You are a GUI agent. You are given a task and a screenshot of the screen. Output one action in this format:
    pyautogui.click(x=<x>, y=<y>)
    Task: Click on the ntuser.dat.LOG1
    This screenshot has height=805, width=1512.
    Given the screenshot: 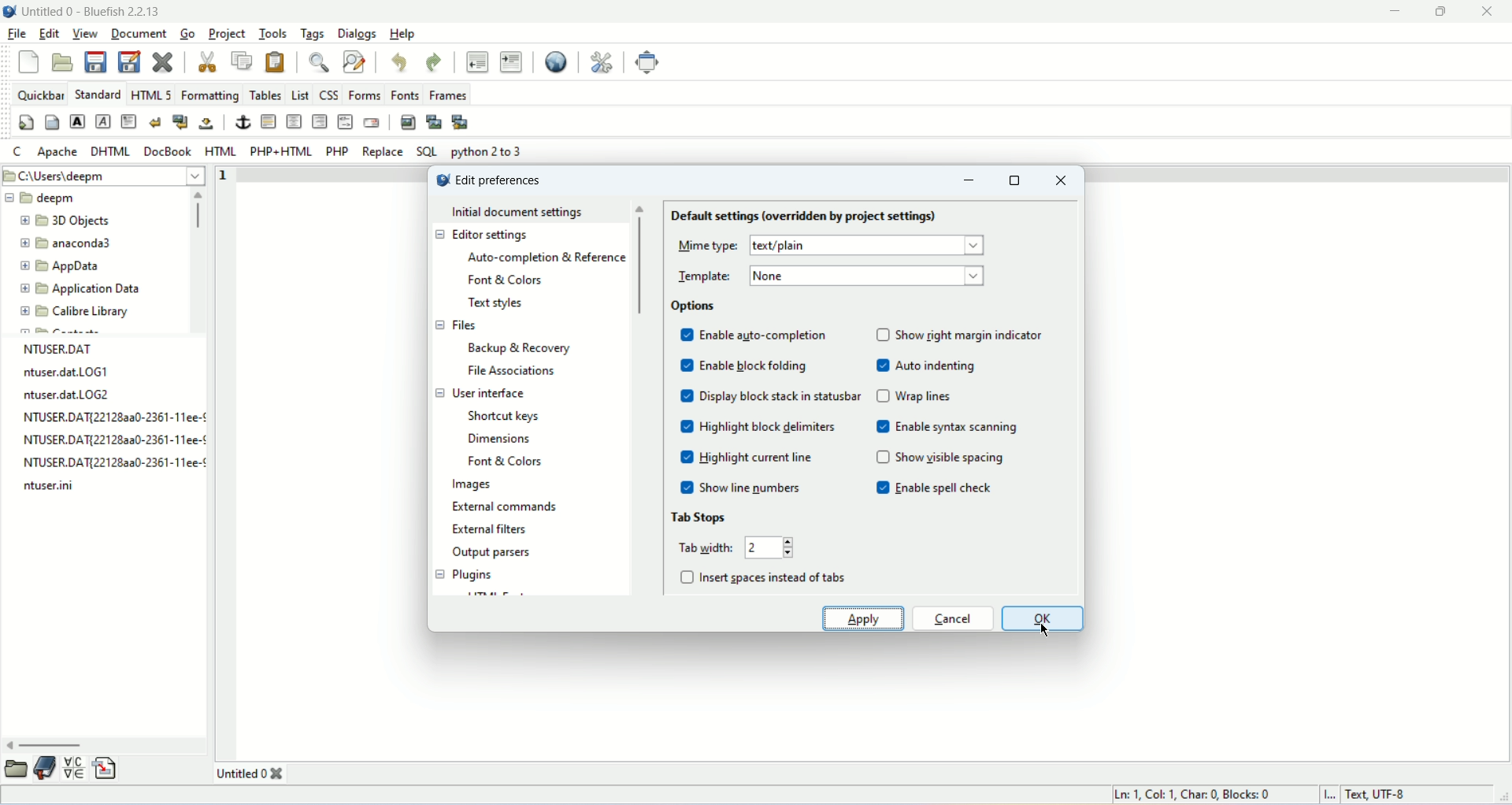 What is the action you would take?
    pyautogui.click(x=61, y=374)
    